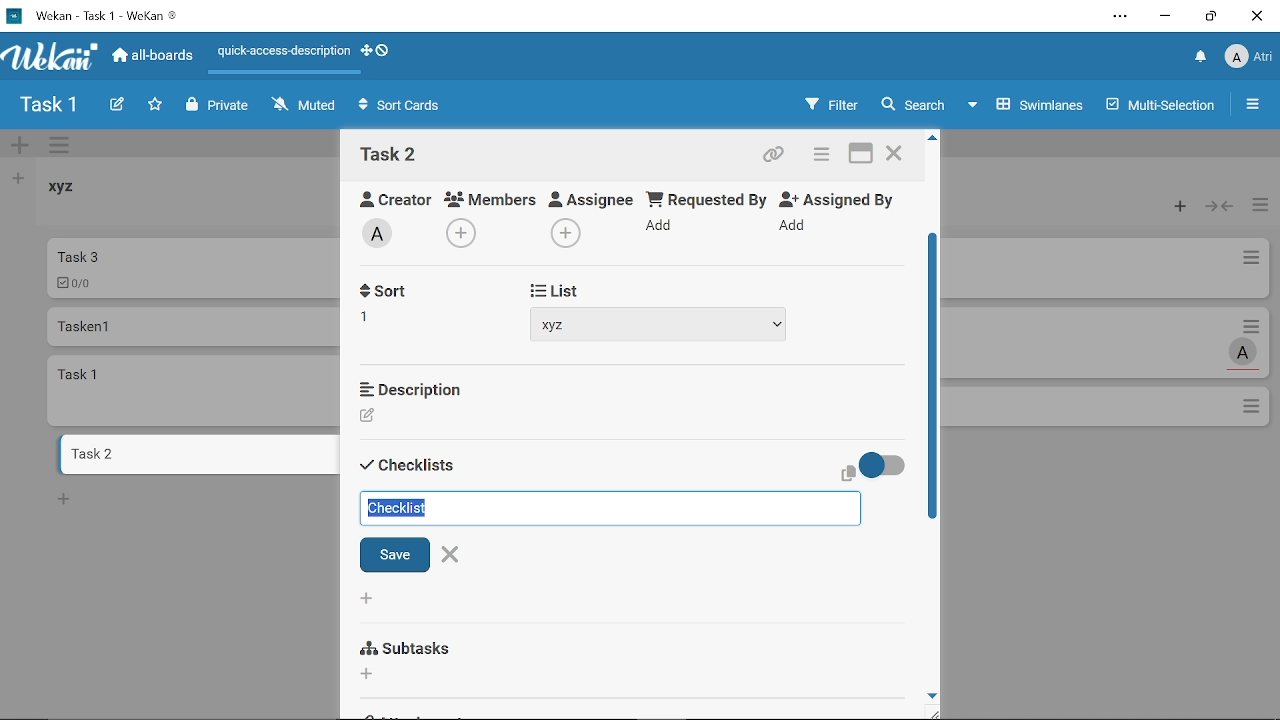 The image size is (1280, 720). Describe the element at coordinates (64, 498) in the screenshot. I see `New` at that location.